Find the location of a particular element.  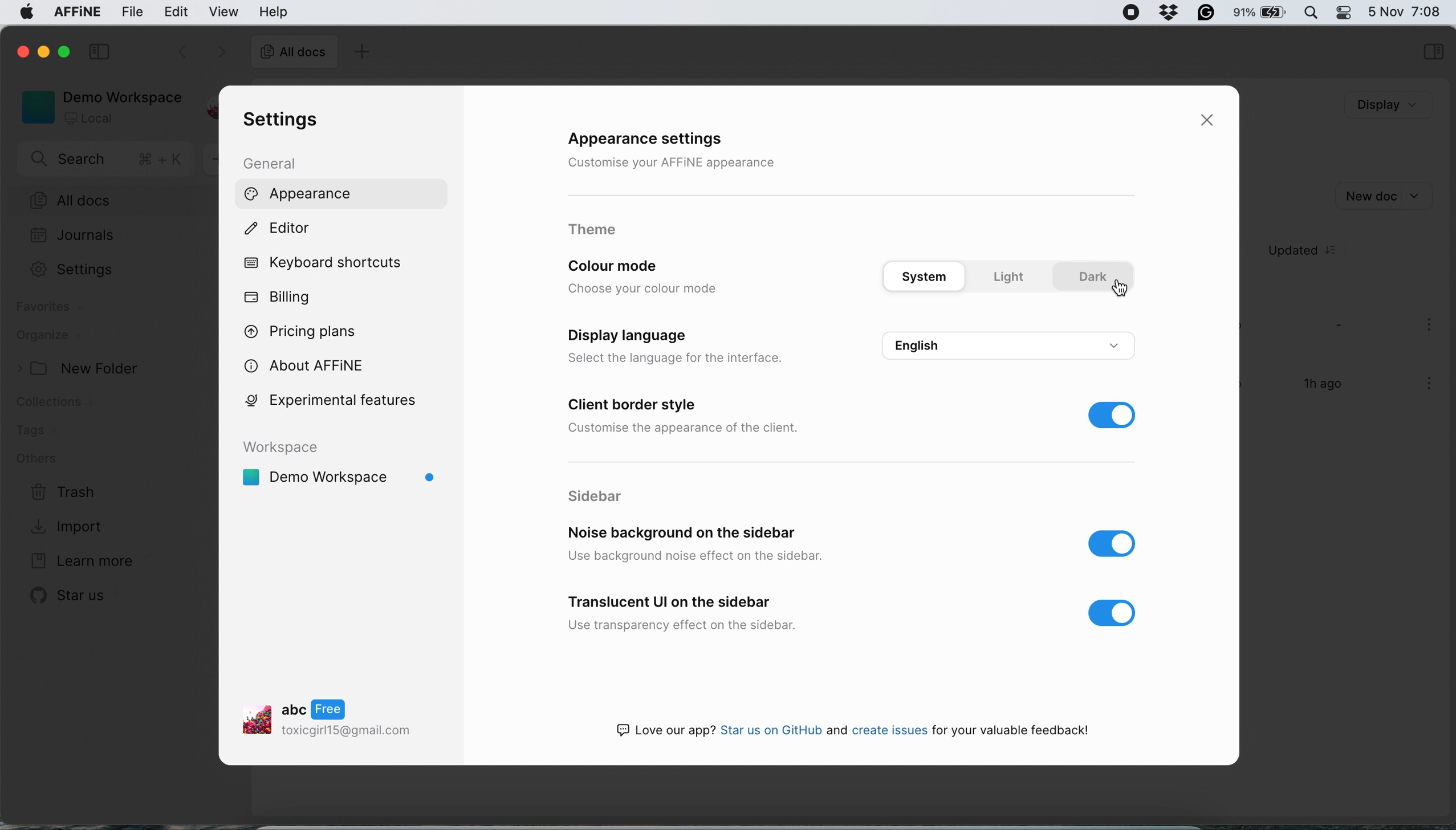

billing is located at coordinates (282, 296).